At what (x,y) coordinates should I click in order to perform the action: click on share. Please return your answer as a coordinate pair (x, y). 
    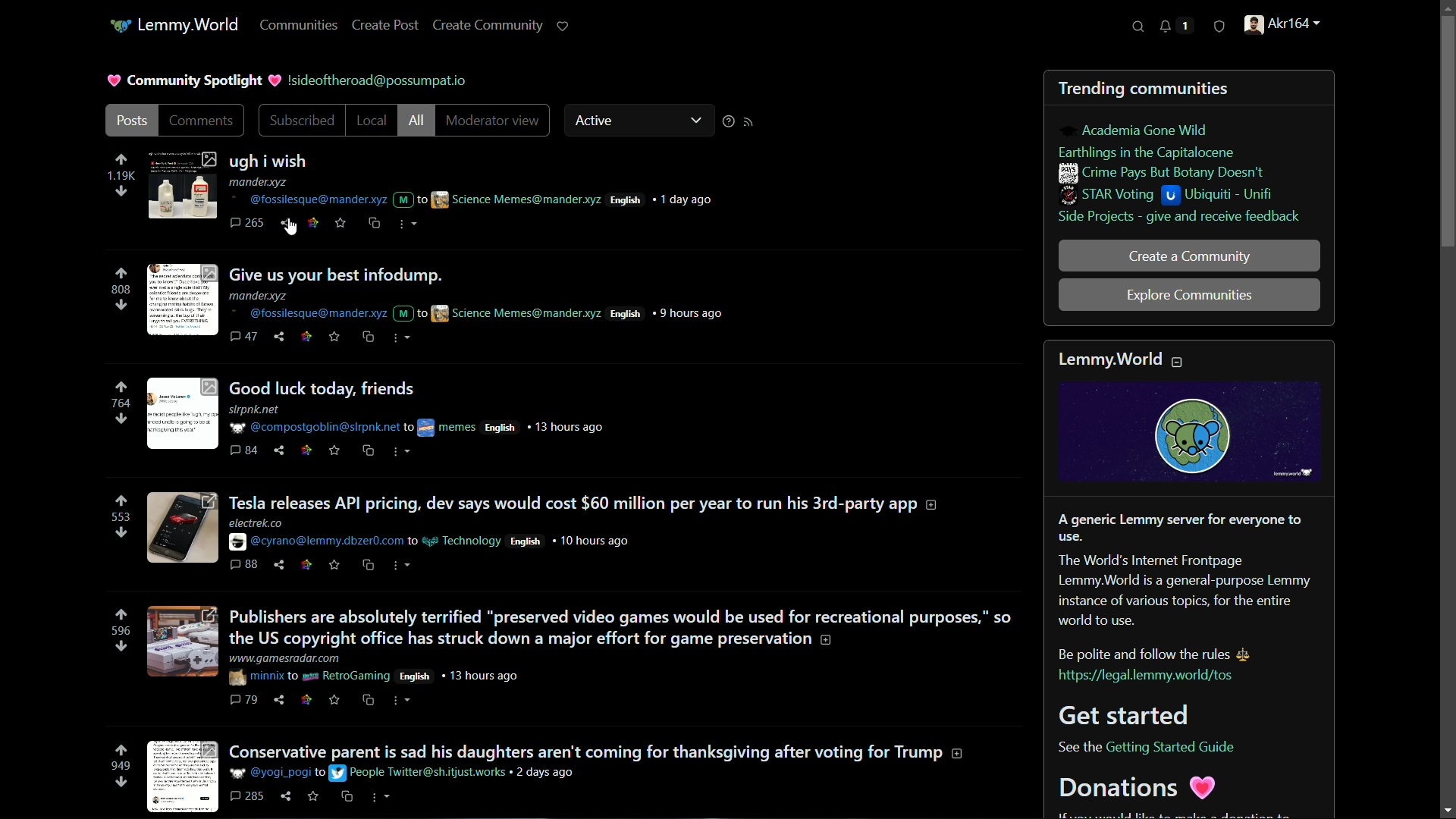
    Looking at the image, I should click on (288, 796).